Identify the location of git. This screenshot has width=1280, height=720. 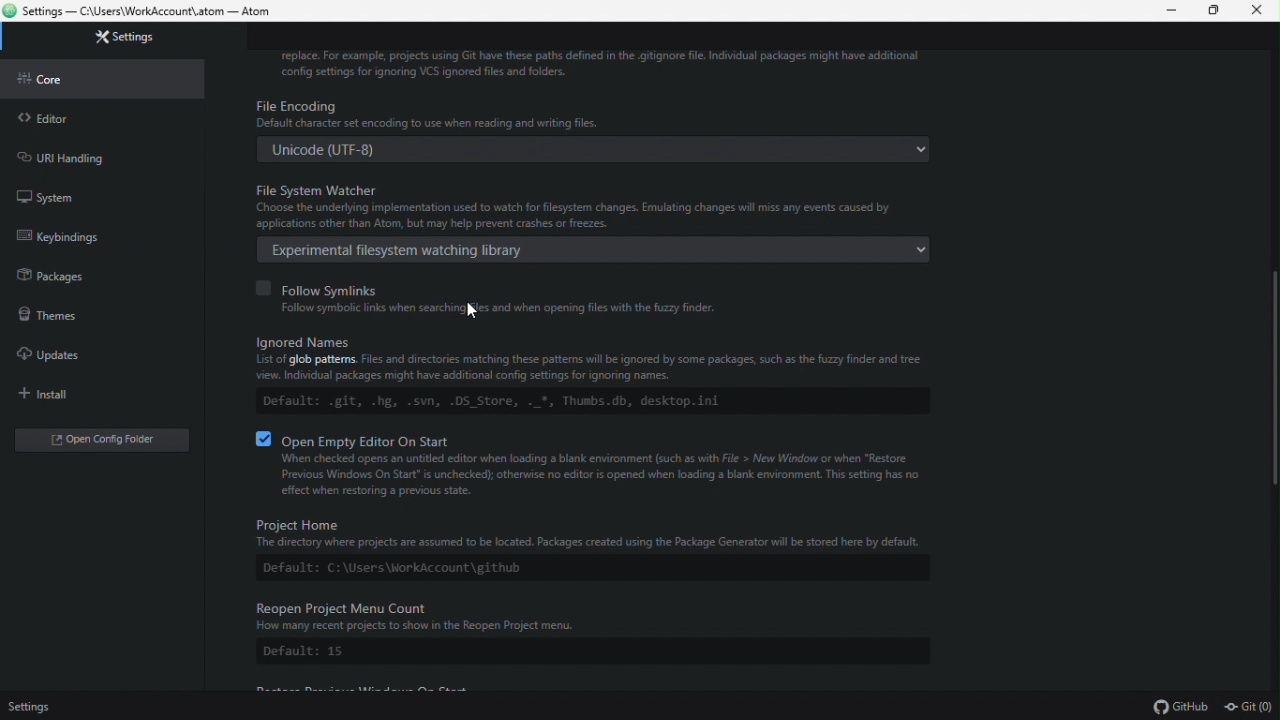
(1252, 707).